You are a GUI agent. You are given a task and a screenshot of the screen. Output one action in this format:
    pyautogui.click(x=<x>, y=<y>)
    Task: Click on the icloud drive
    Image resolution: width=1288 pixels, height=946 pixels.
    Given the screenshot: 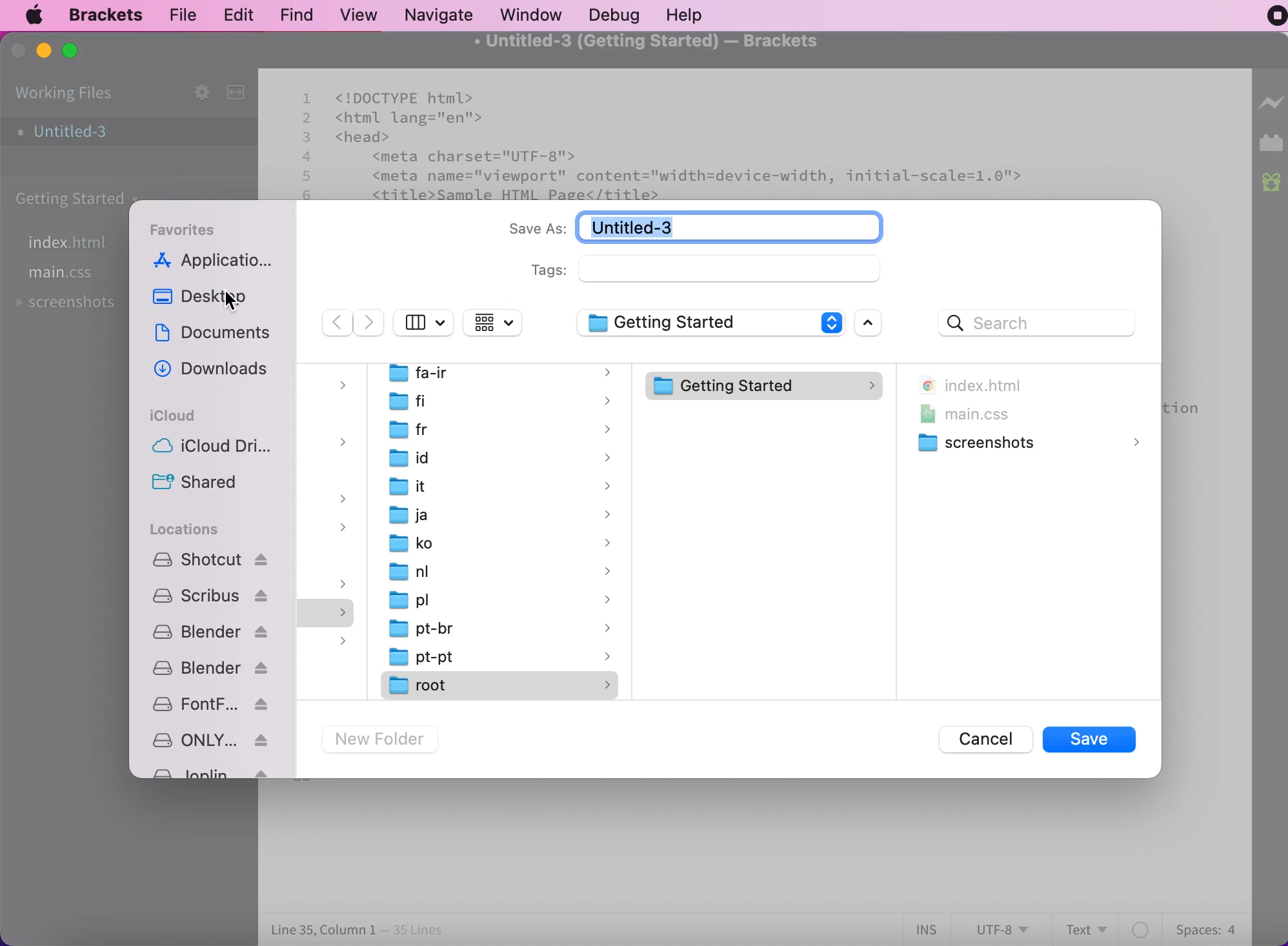 What is the action you would take?
    pyautogui.click(x=208, y=450)
    